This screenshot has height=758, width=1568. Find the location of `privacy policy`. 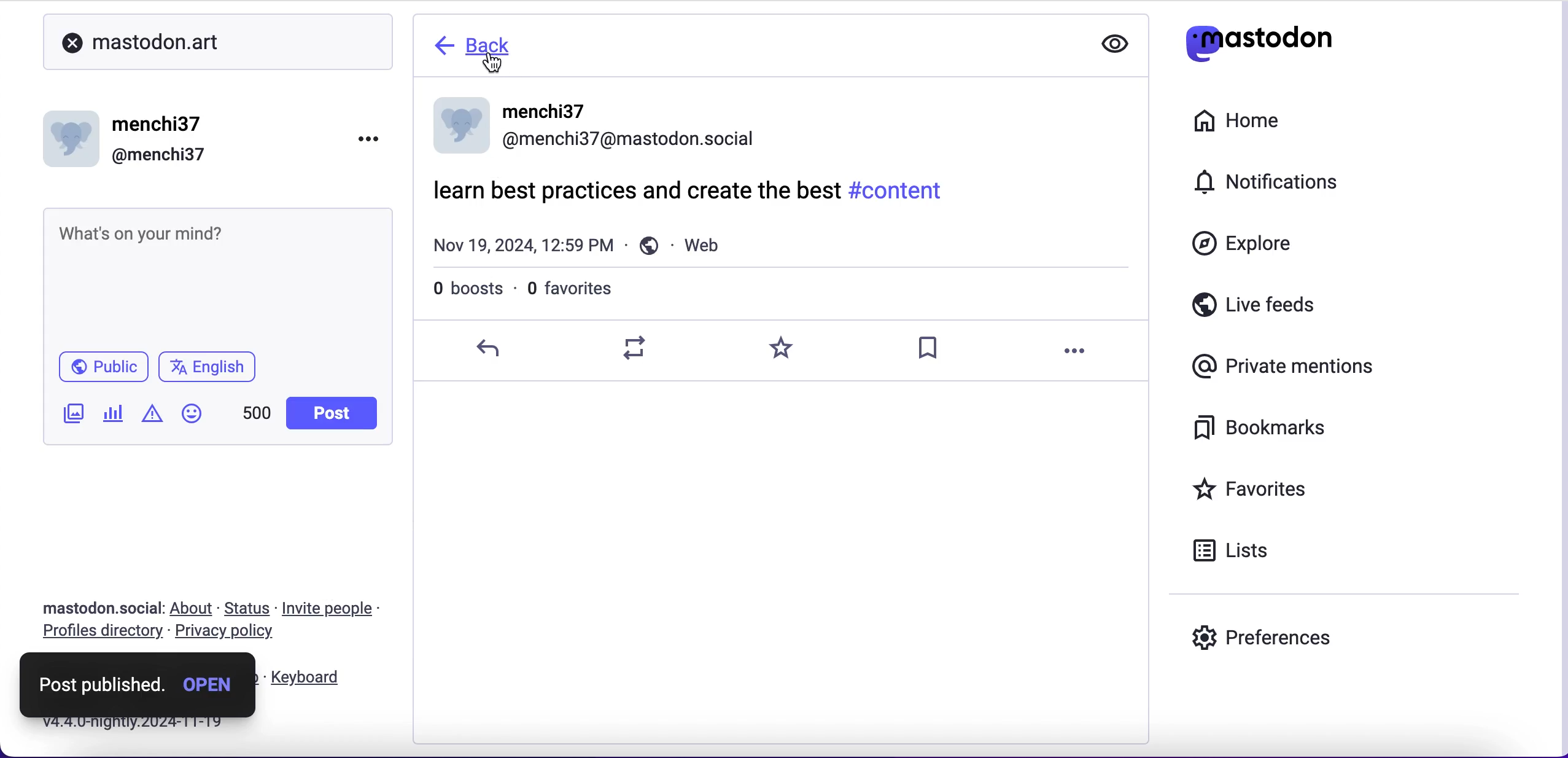

privacy policy is located at coordinates (230, 634).